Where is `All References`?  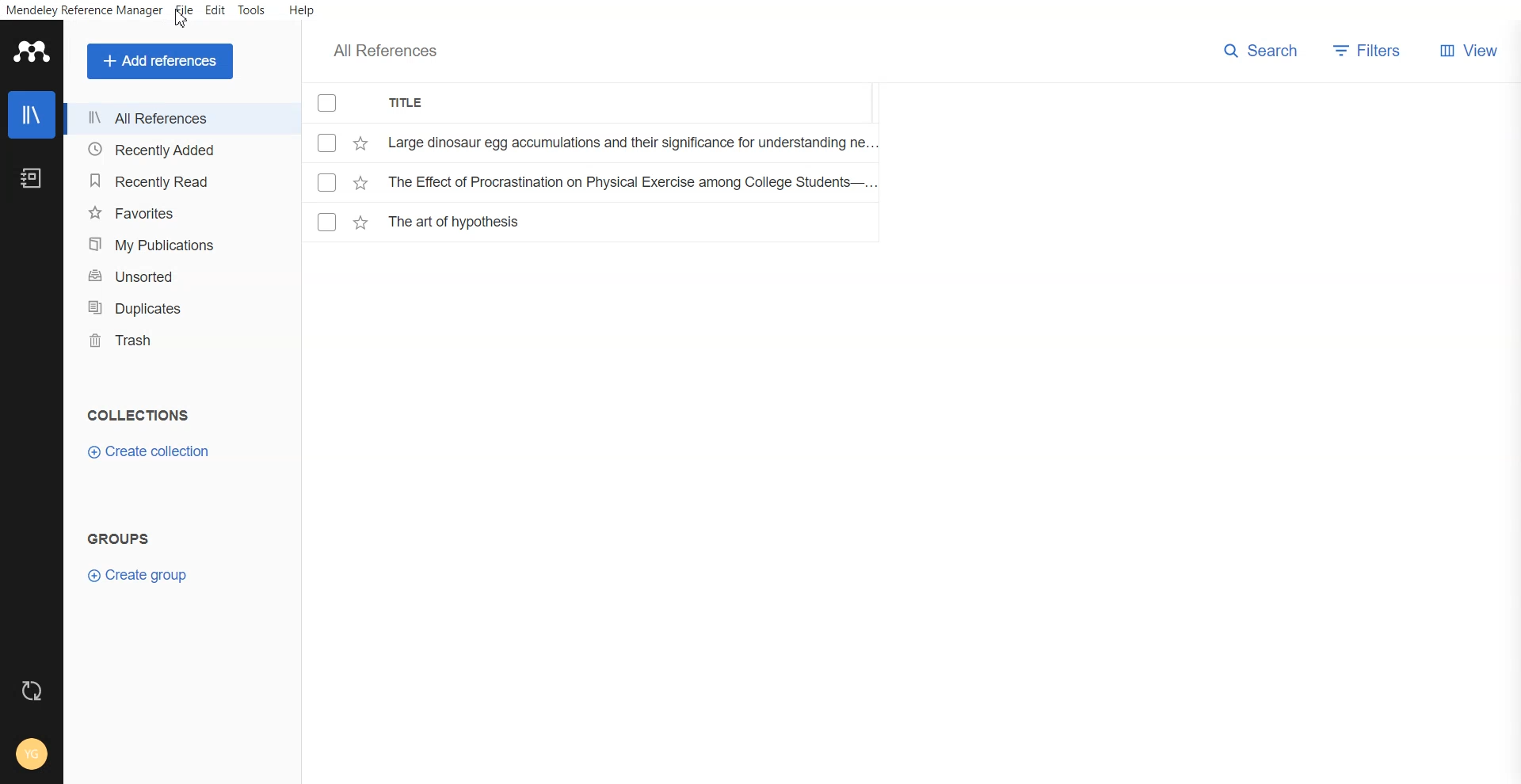
All References is located at coordinates (384, 51).